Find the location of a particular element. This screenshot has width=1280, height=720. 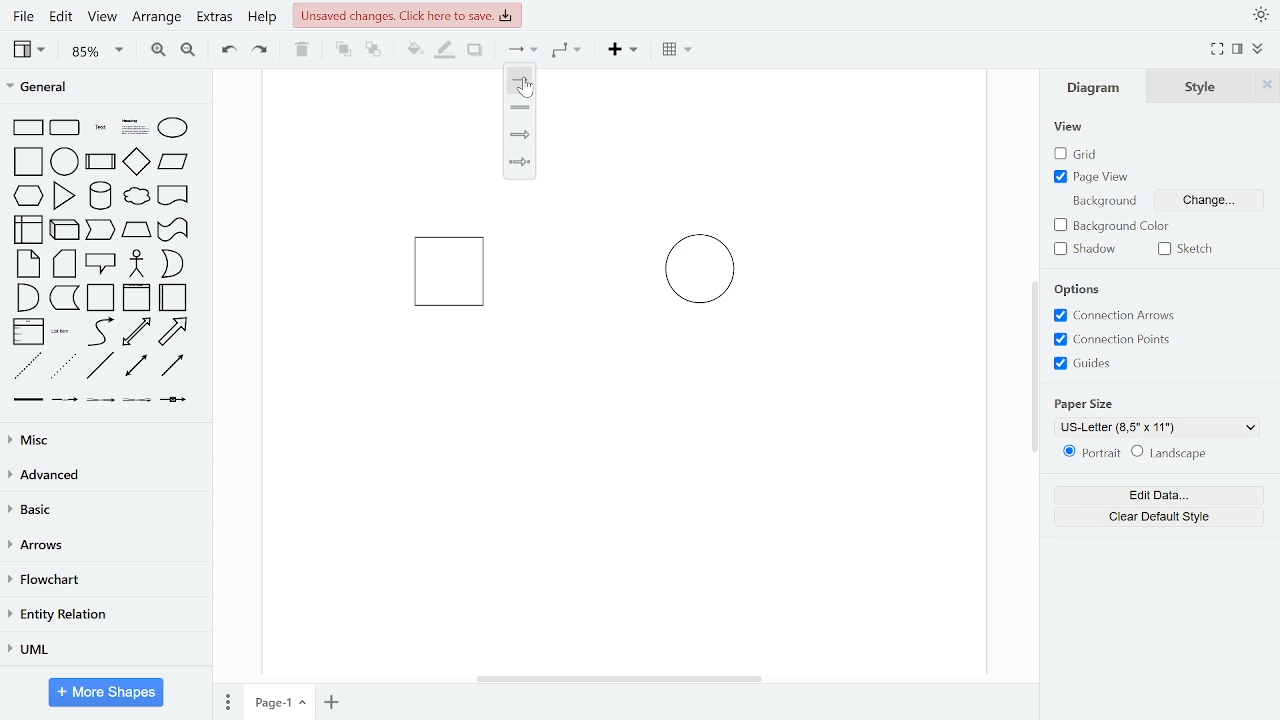

unsaved changes. Click here to save is located at coordinates (408, 14).